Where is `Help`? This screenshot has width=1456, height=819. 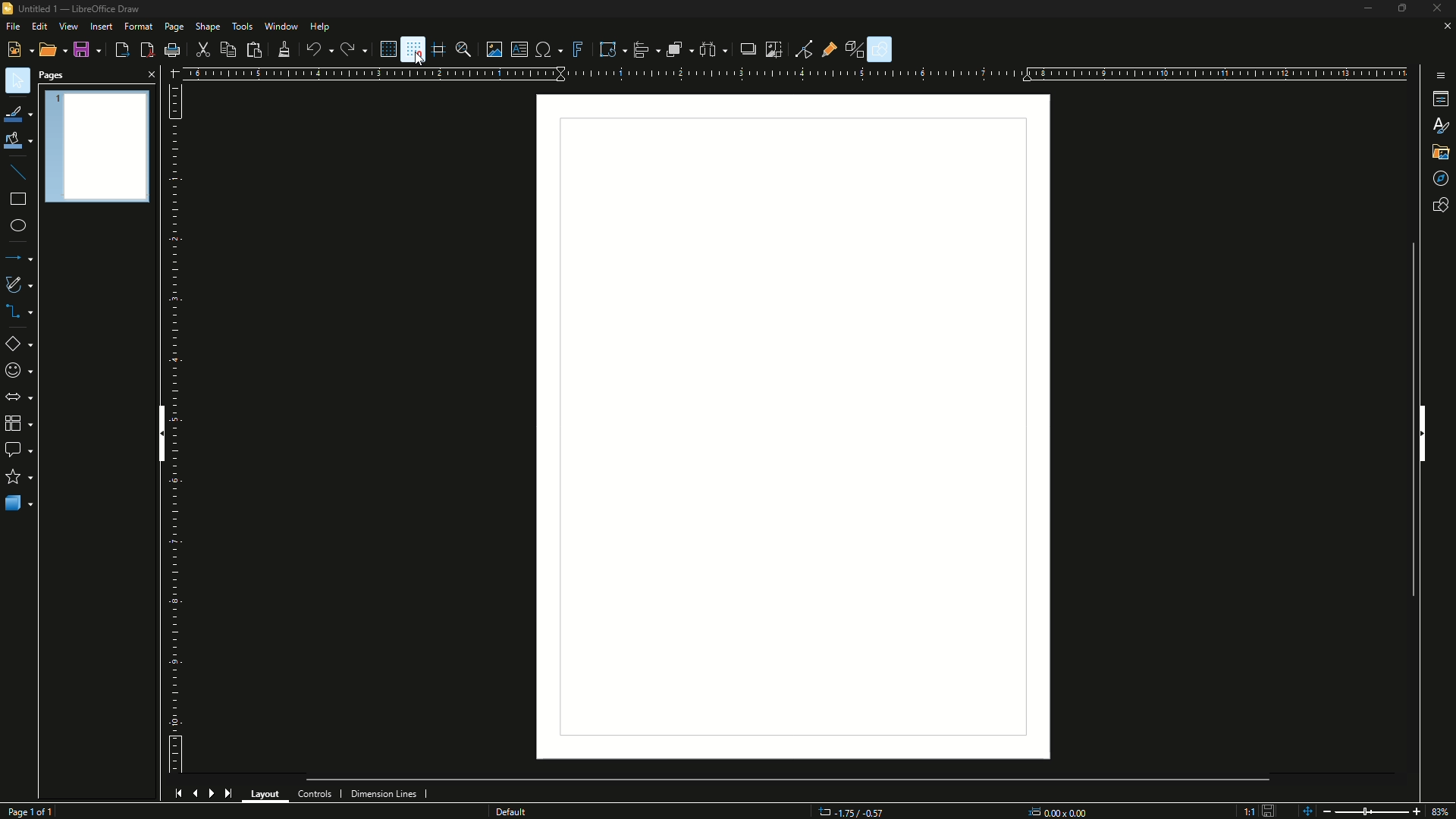 Help is located at coordinates (321, 27).